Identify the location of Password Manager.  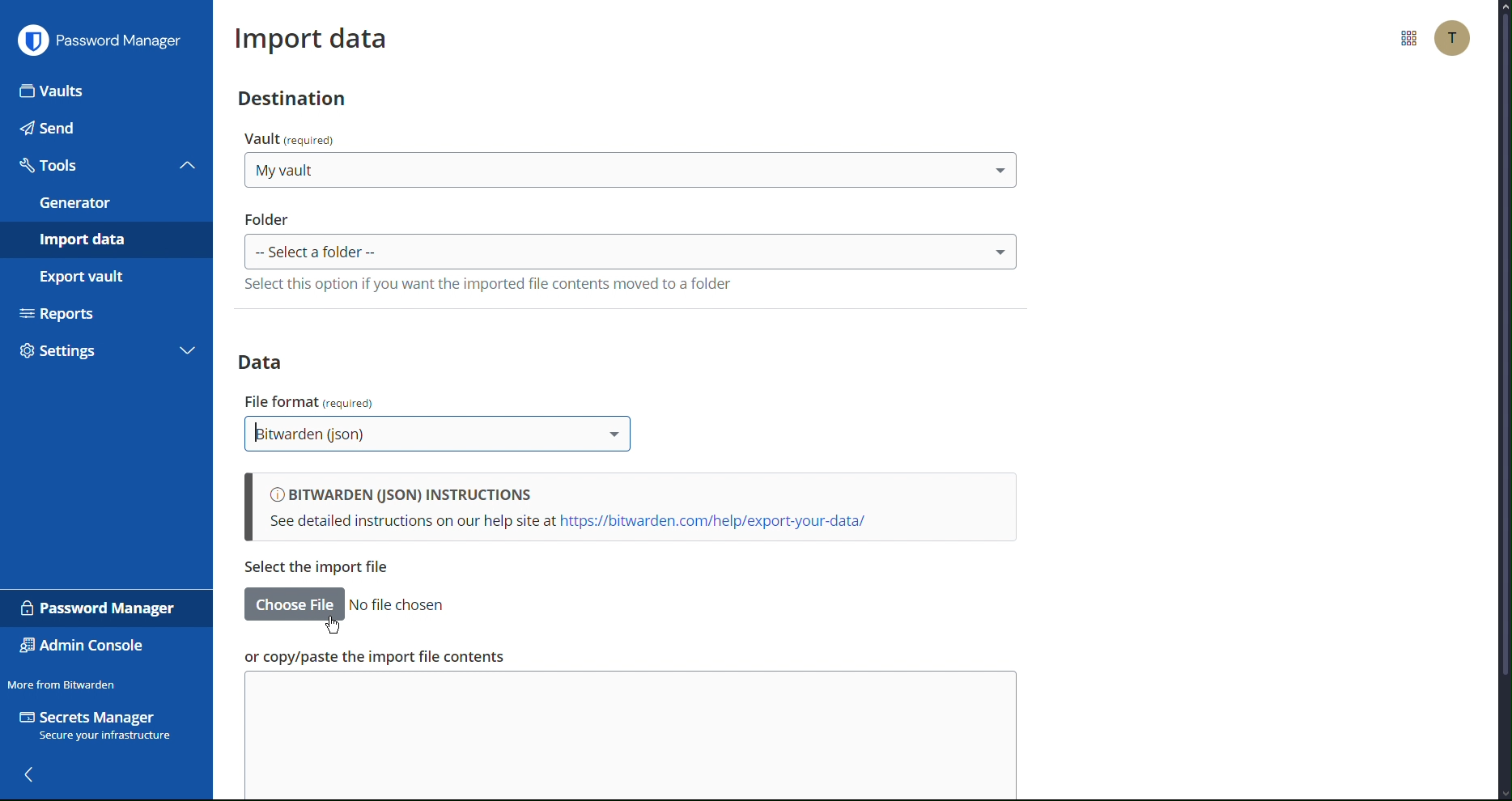
(100, 39).